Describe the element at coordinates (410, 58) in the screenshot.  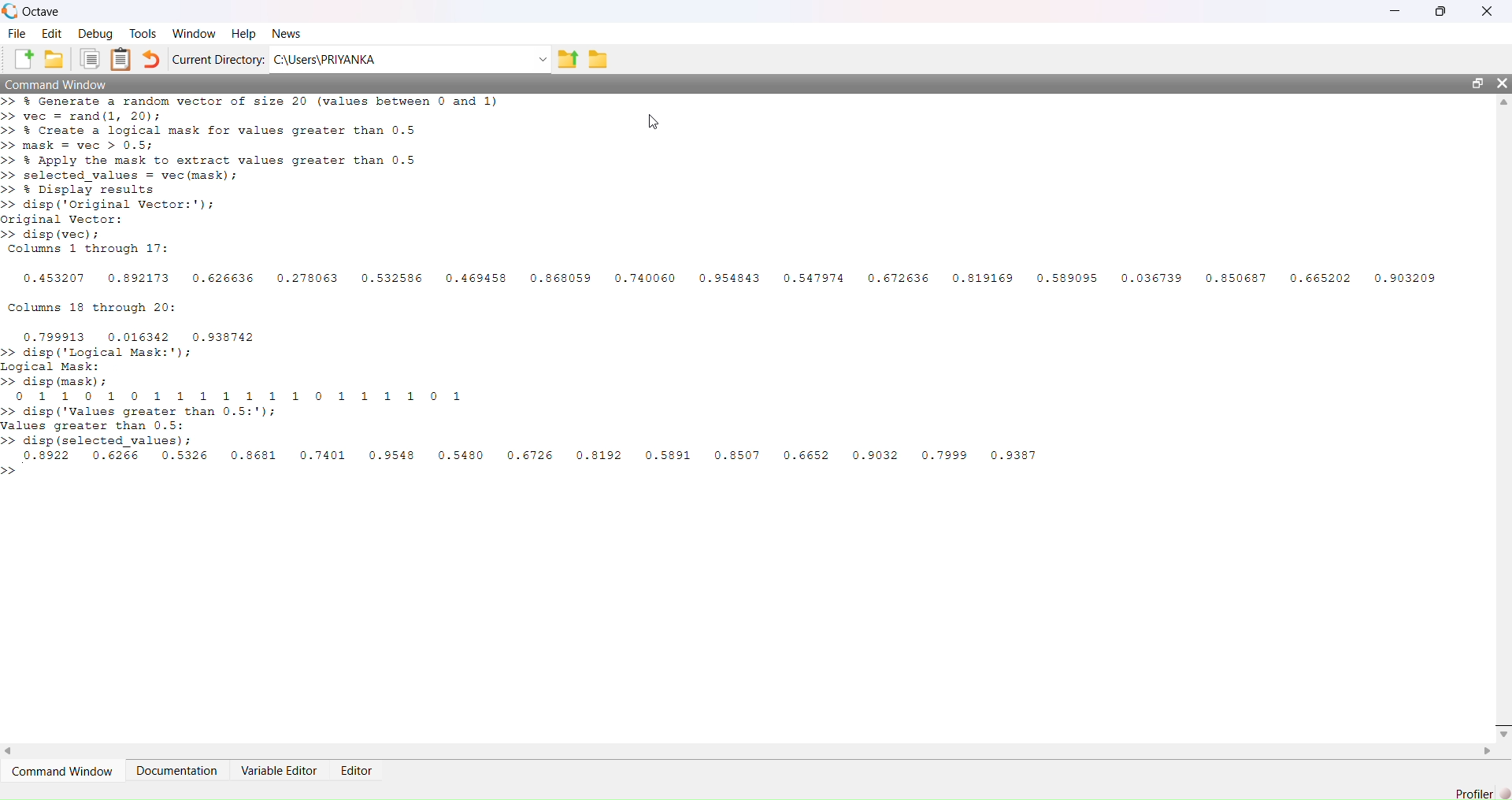
I see `C:\Users\Priyanka` at that location.